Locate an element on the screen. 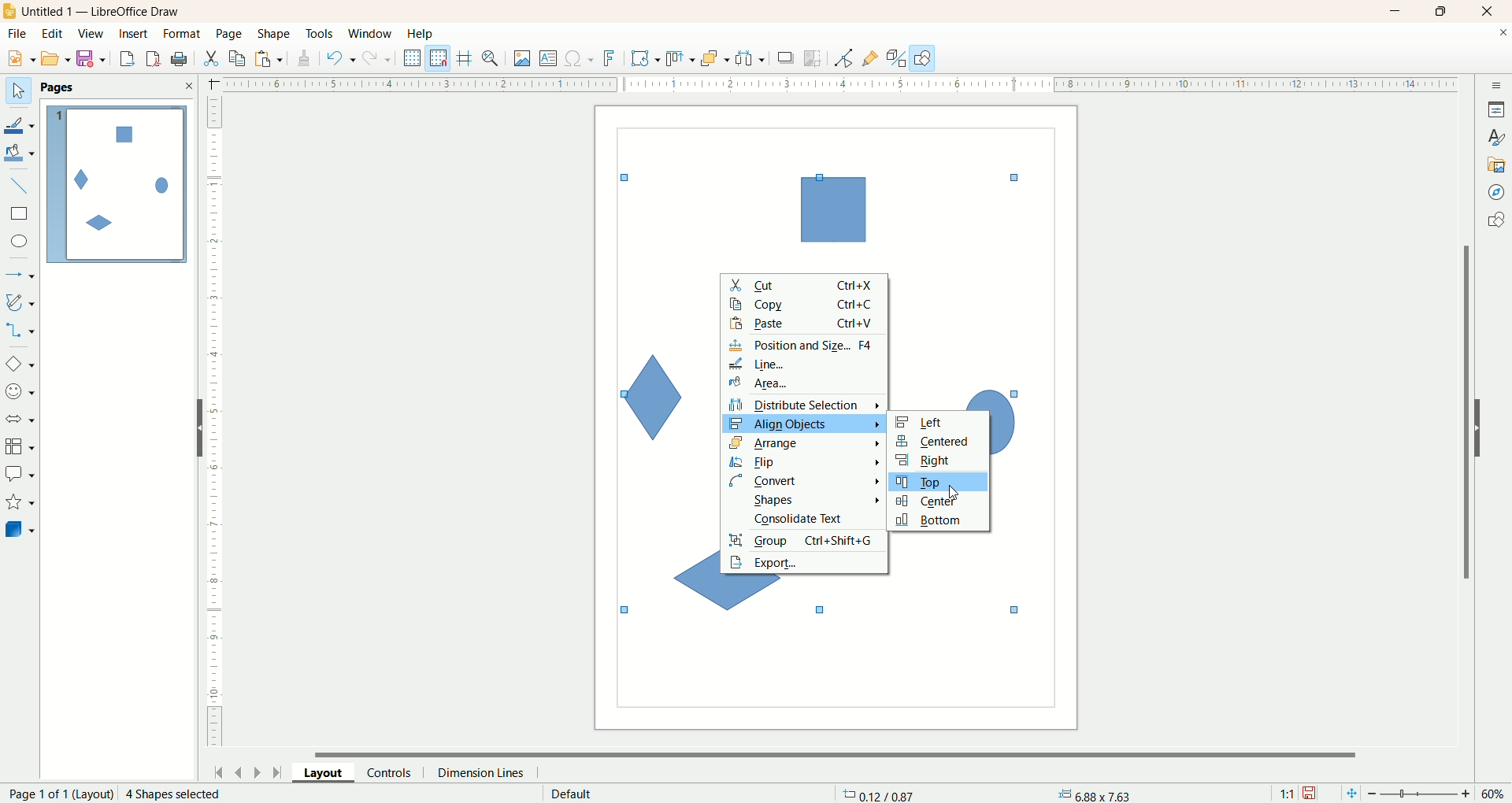 The width and height of the screenshot is (1512, 803). align object is located at coordinates (801, 424).